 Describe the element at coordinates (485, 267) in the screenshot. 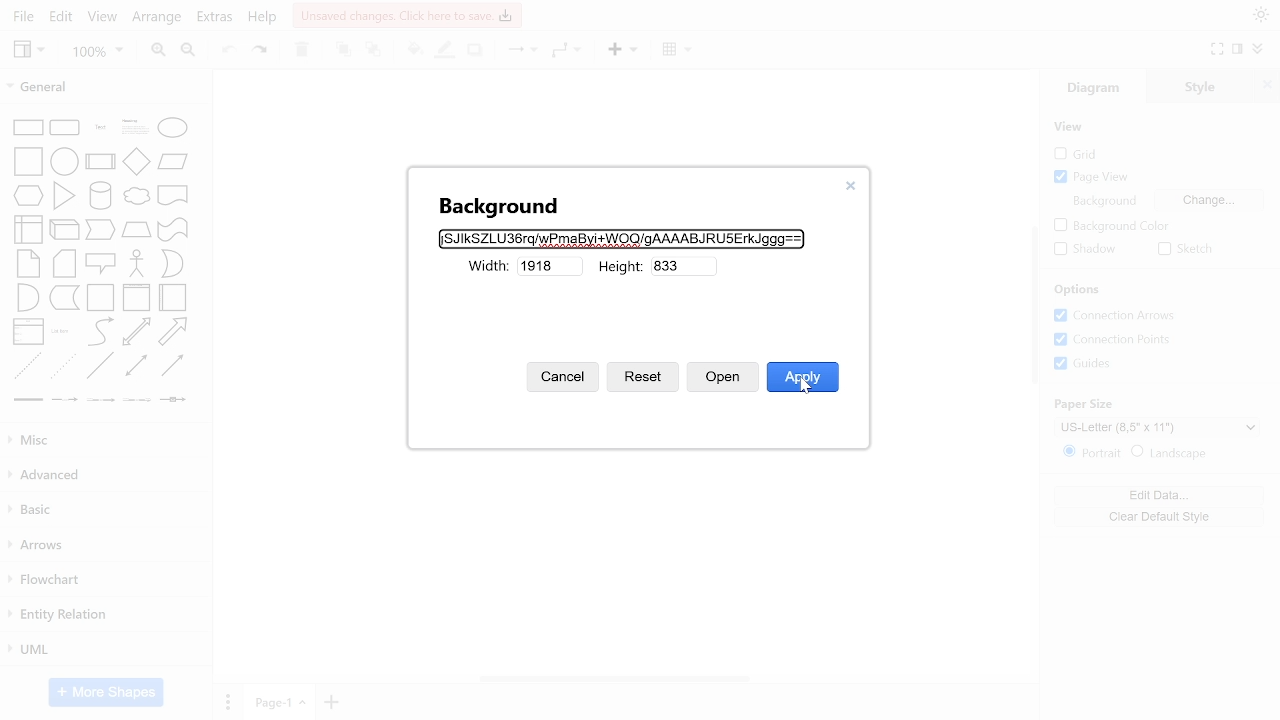

I see `Width` at that location.